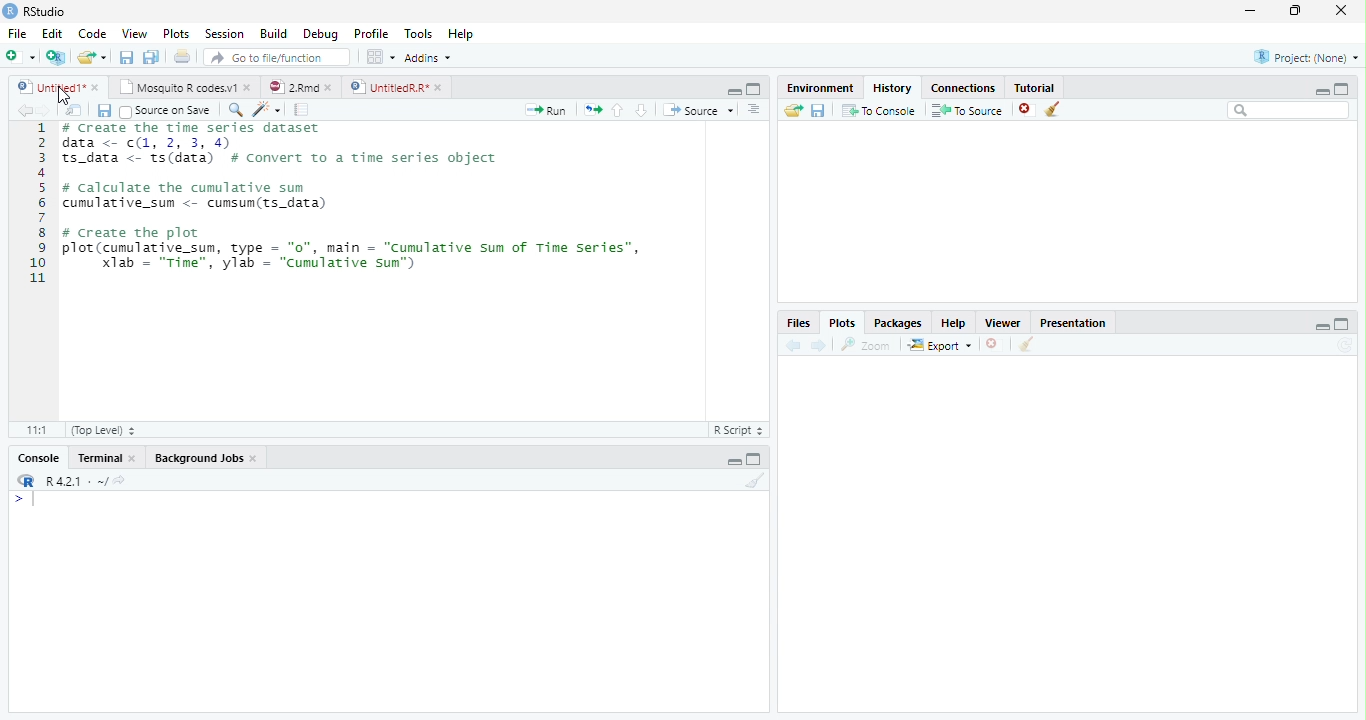  Describe the element at coordinates (953, 324) in the screenshot. I see `Help` at that location.